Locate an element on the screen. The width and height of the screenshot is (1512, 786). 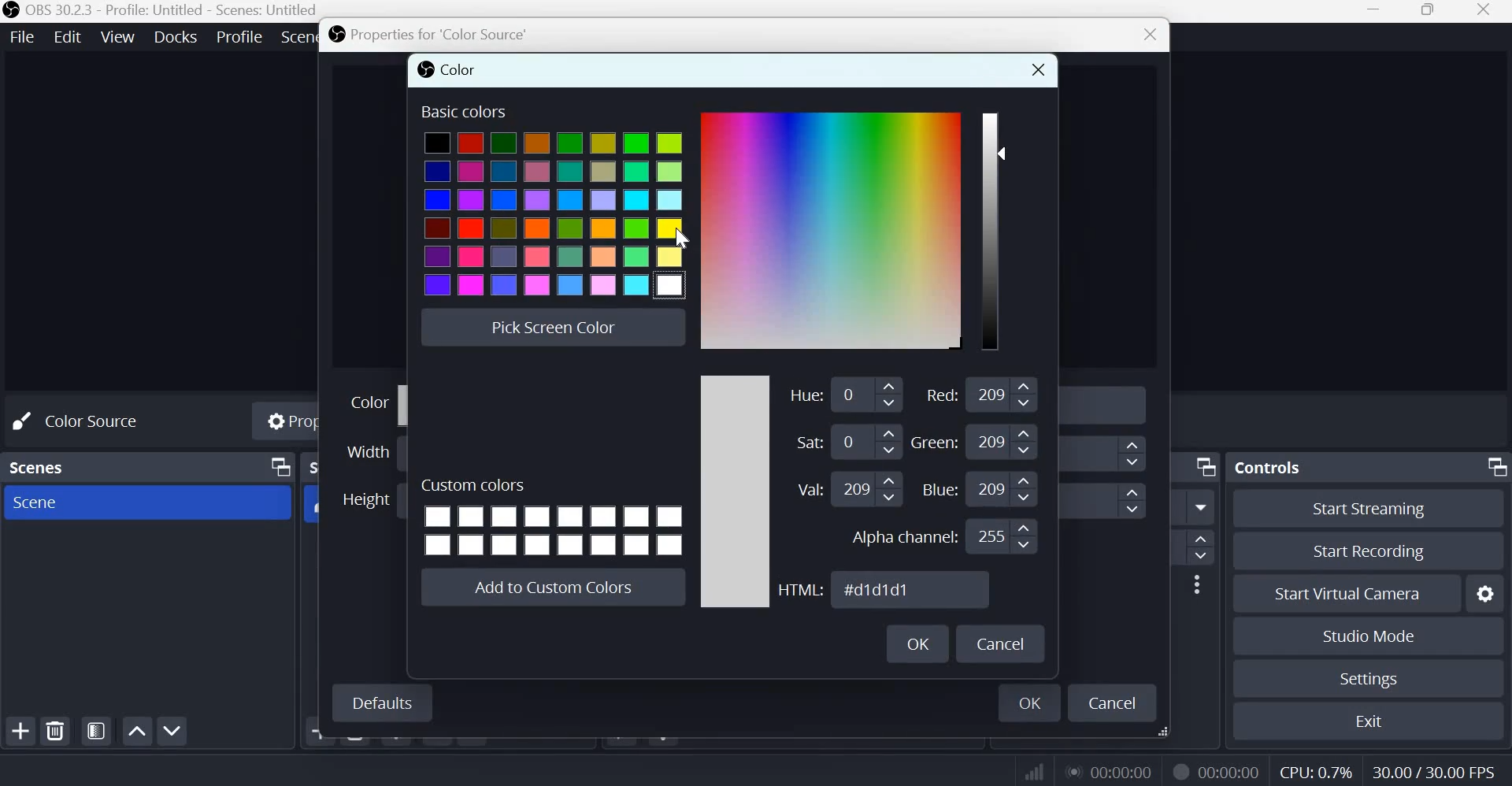
Move scene down is located at coordinates (176, 732).